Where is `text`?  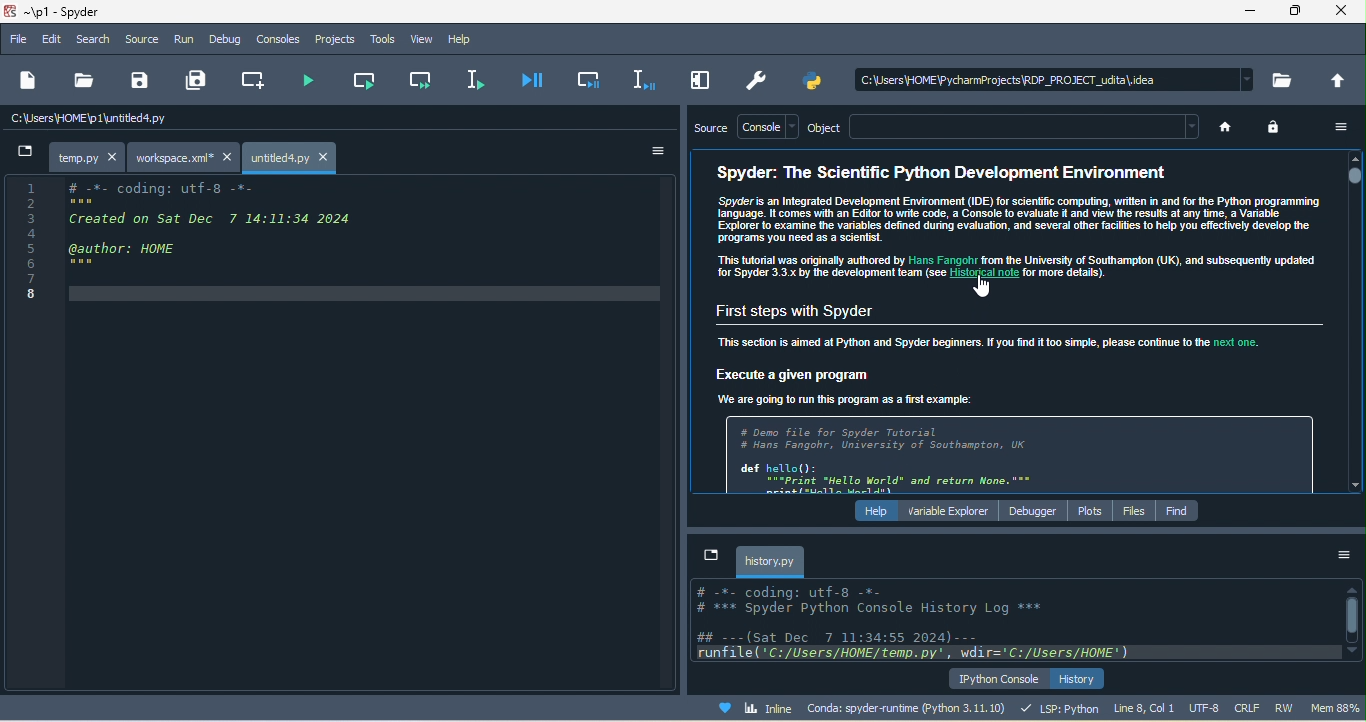 text is located at coordinates (1015, 320).